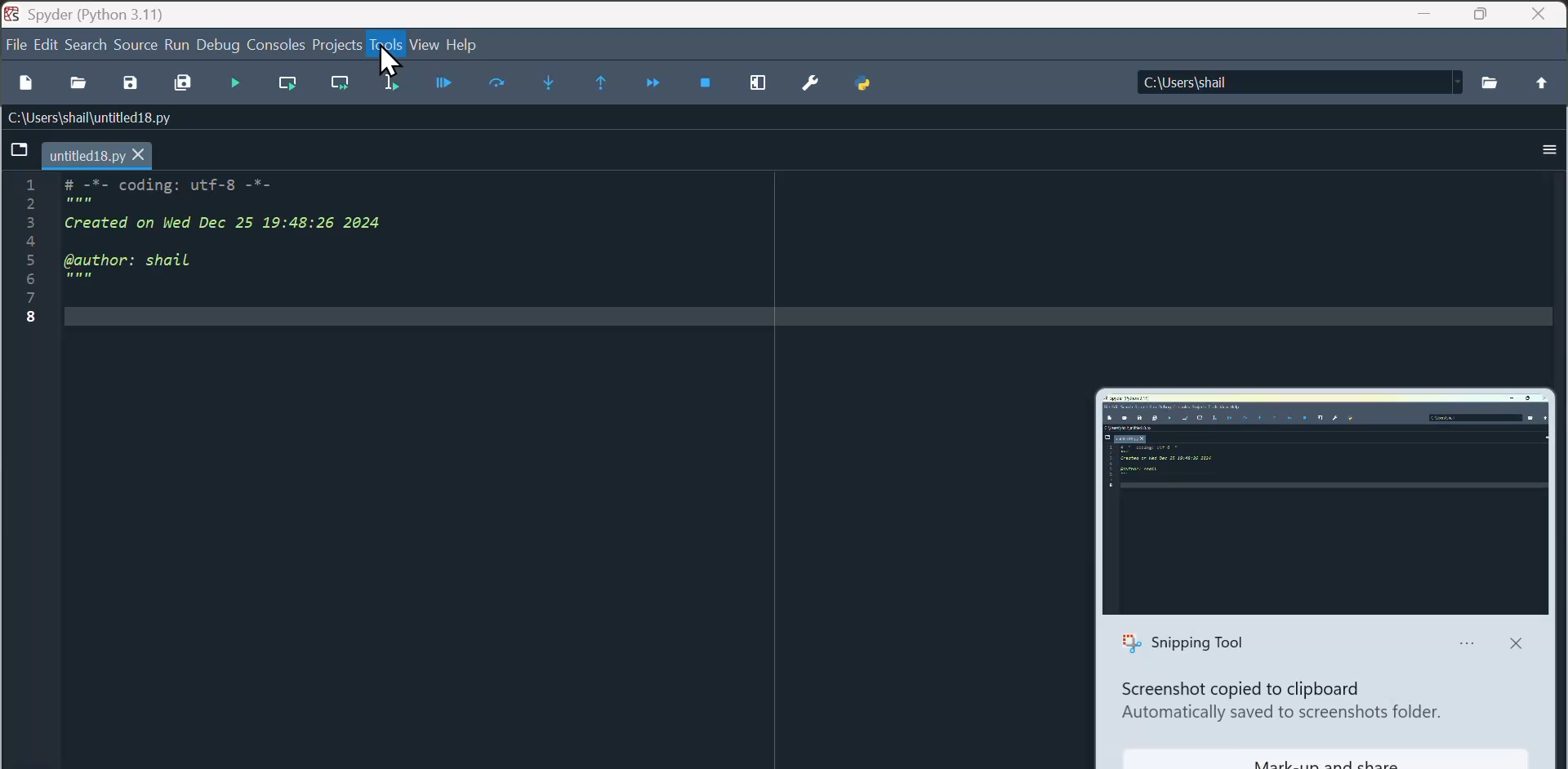 This screenshot has height=769, width=1568. What do you see at coordinates (497, 86) in the screenshot?
I see `Run Current File` at bounding box center [497, 86].